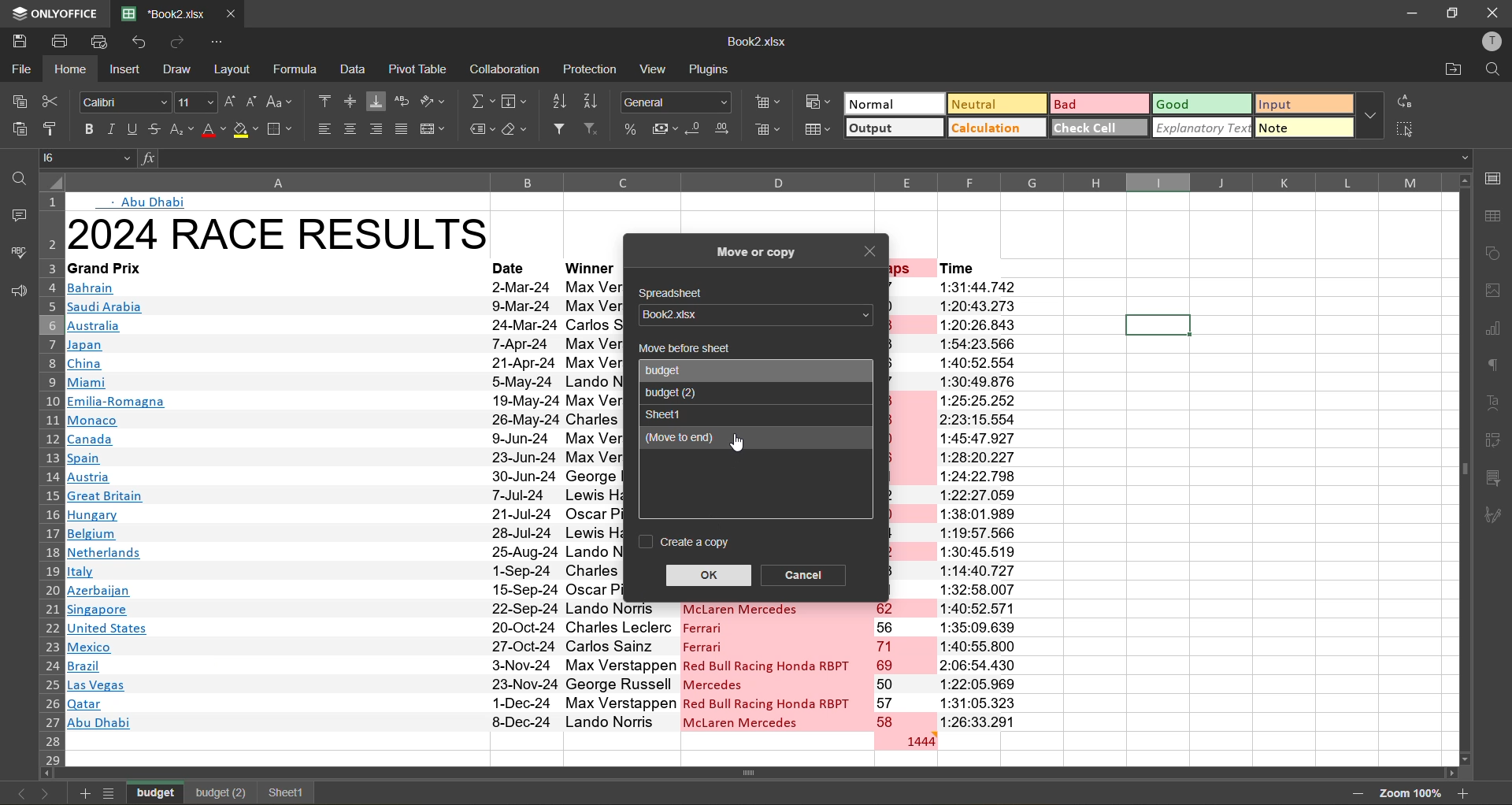 This screenshot has width=1512, height=805. Describe the element at coordinates (1454, 71) in the screenshot. I see `open location` at that location.